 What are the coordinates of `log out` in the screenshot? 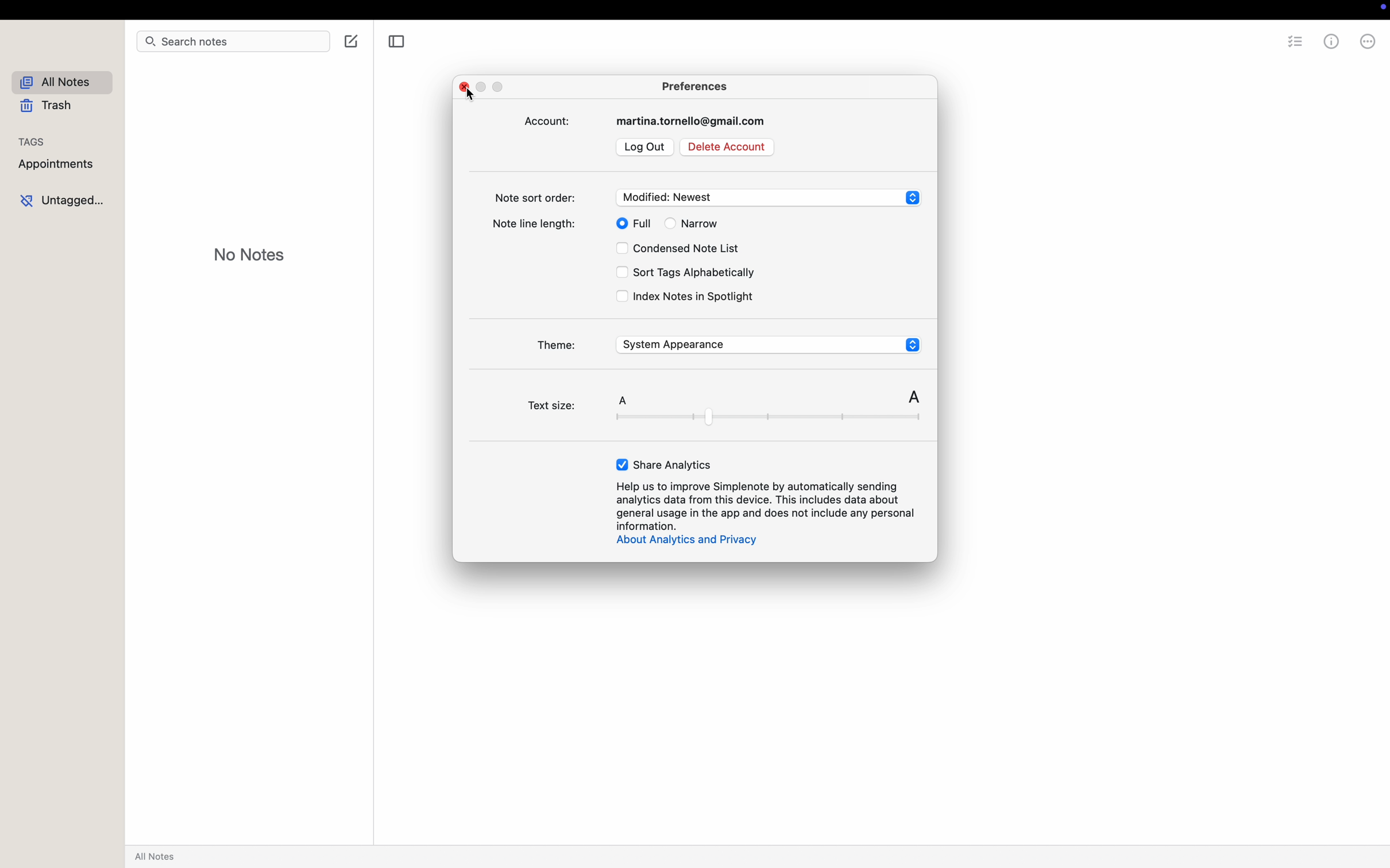 It's located at (645, 147).